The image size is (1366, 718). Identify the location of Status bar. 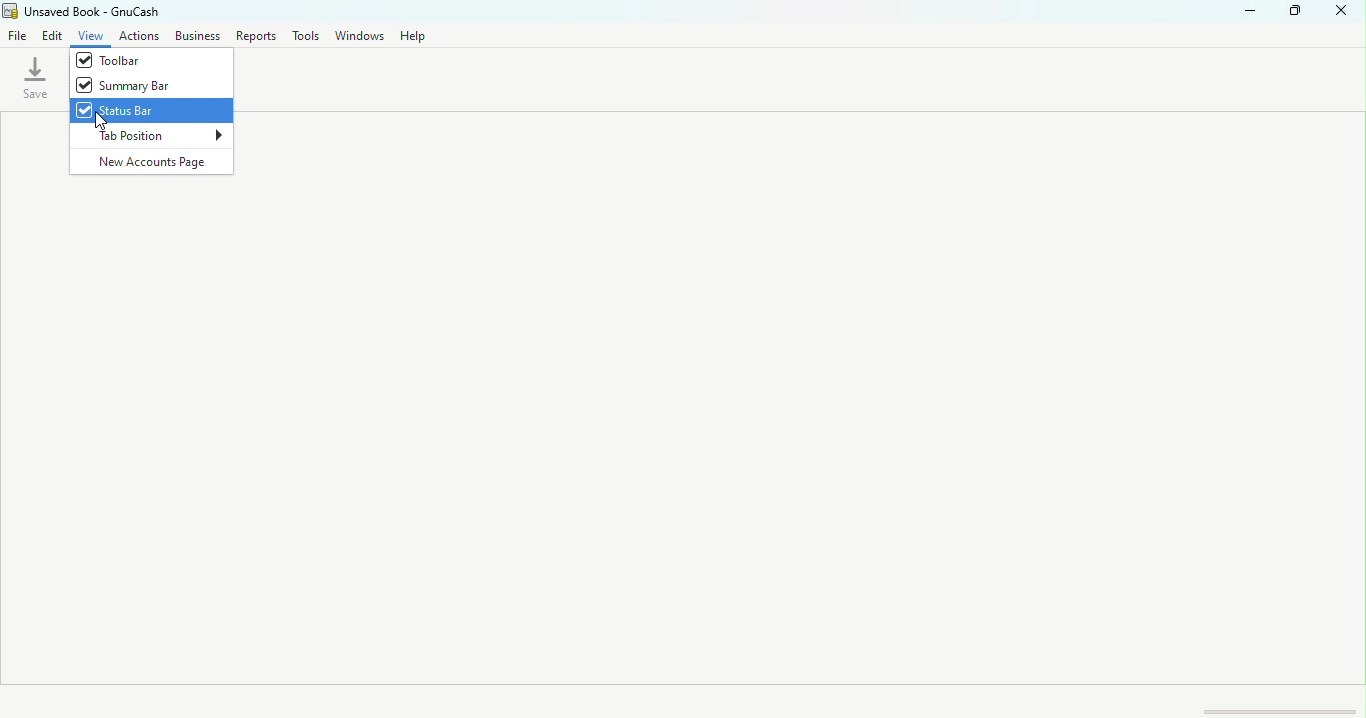
(150, 109).